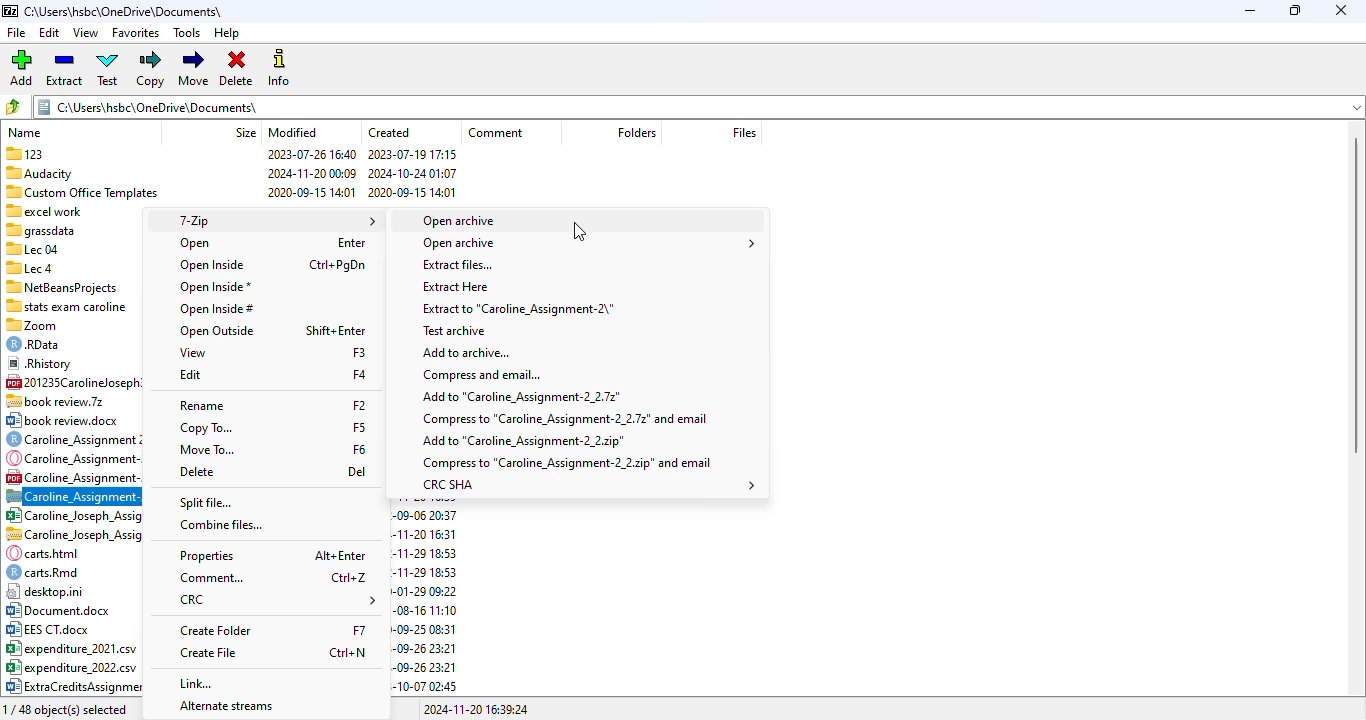  What do you see at coordinates (226, 33) in the screenshot?
I see `help` at bounding box center [226, 33].